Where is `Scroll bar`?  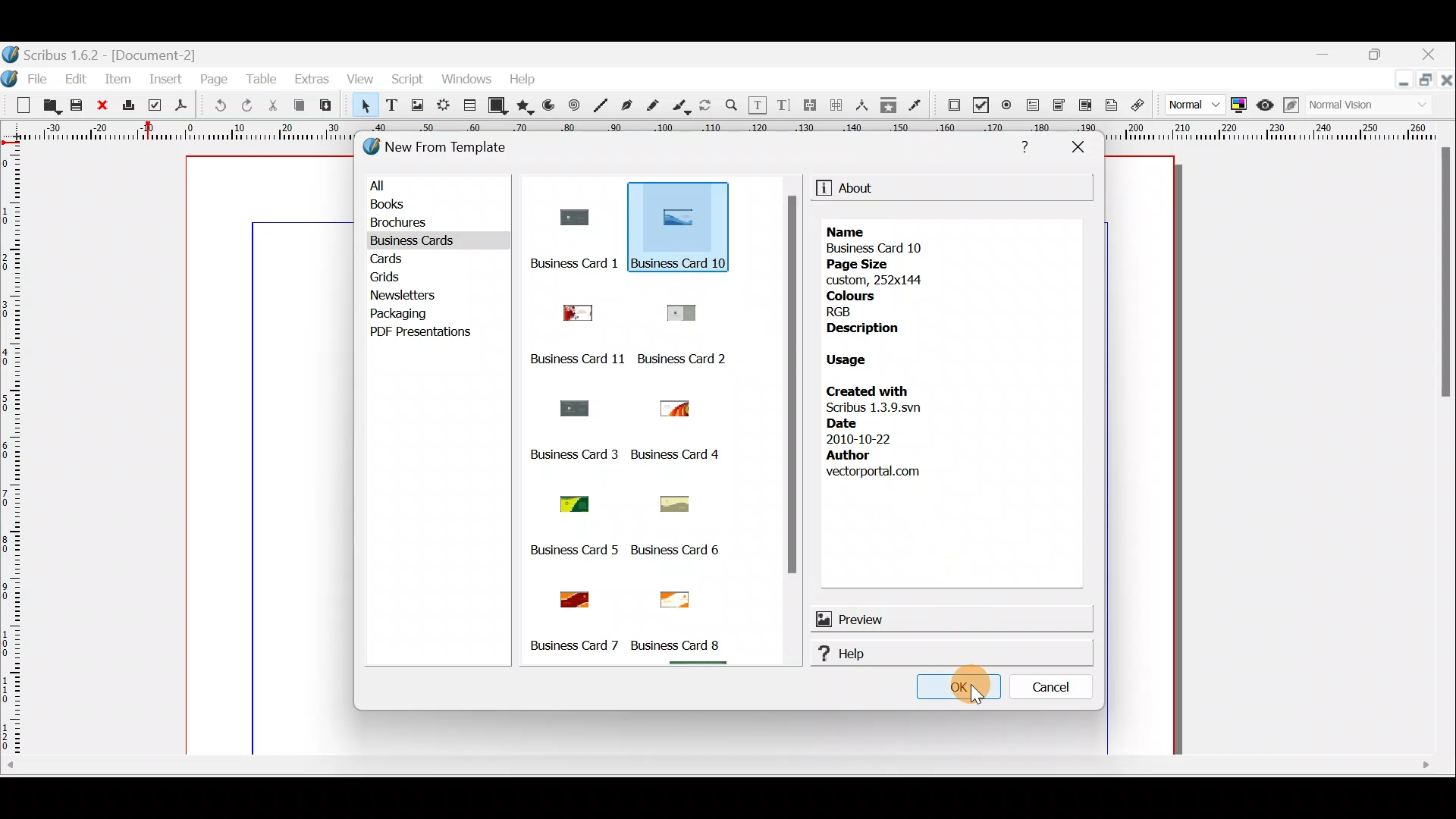 Scroll bar is located at coordinates (1445, 450).